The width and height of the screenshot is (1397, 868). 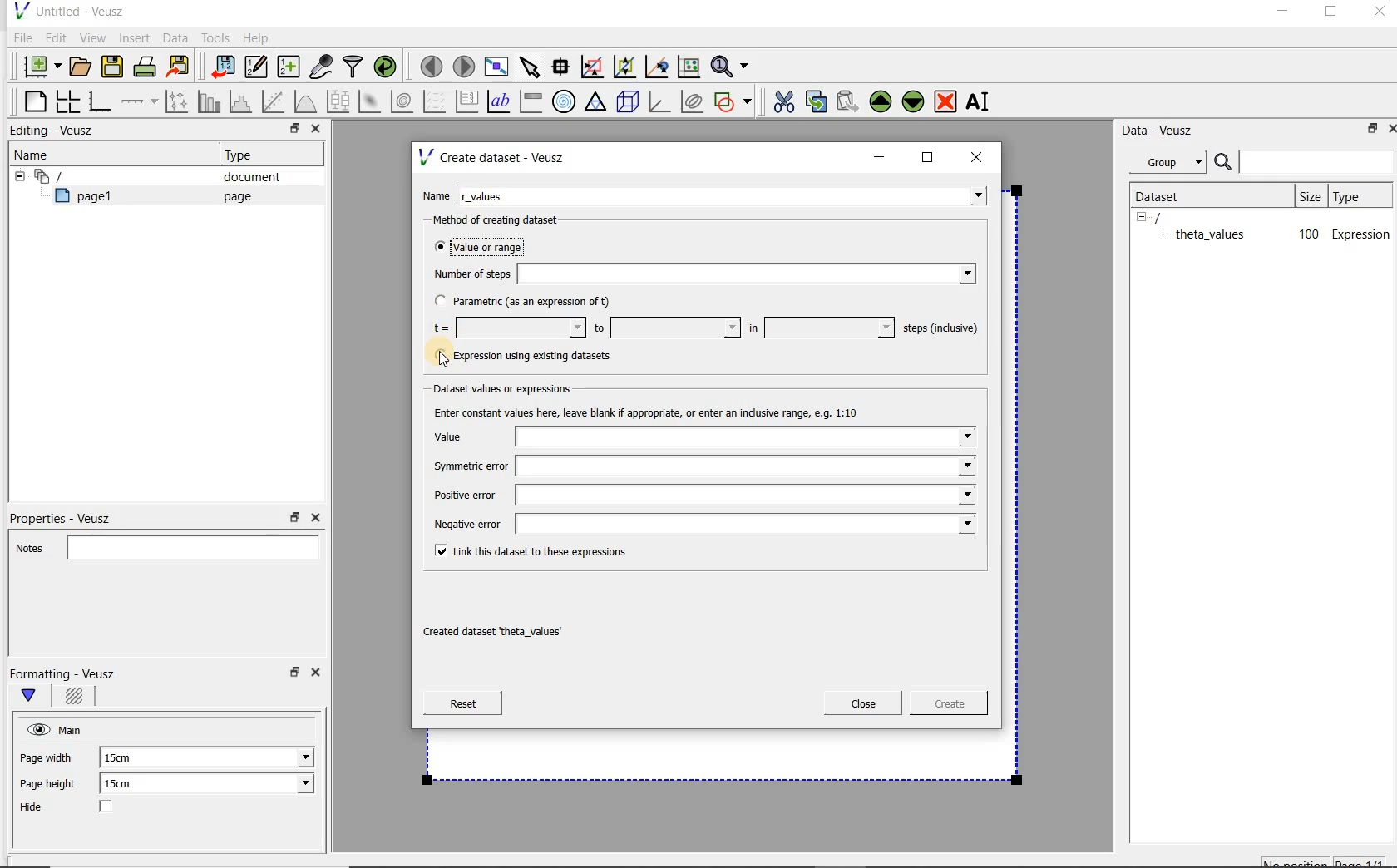 What do you see at coordinates (565, 101) in the screenshot?
I see `polar graph` at bounding box center [565, 101].